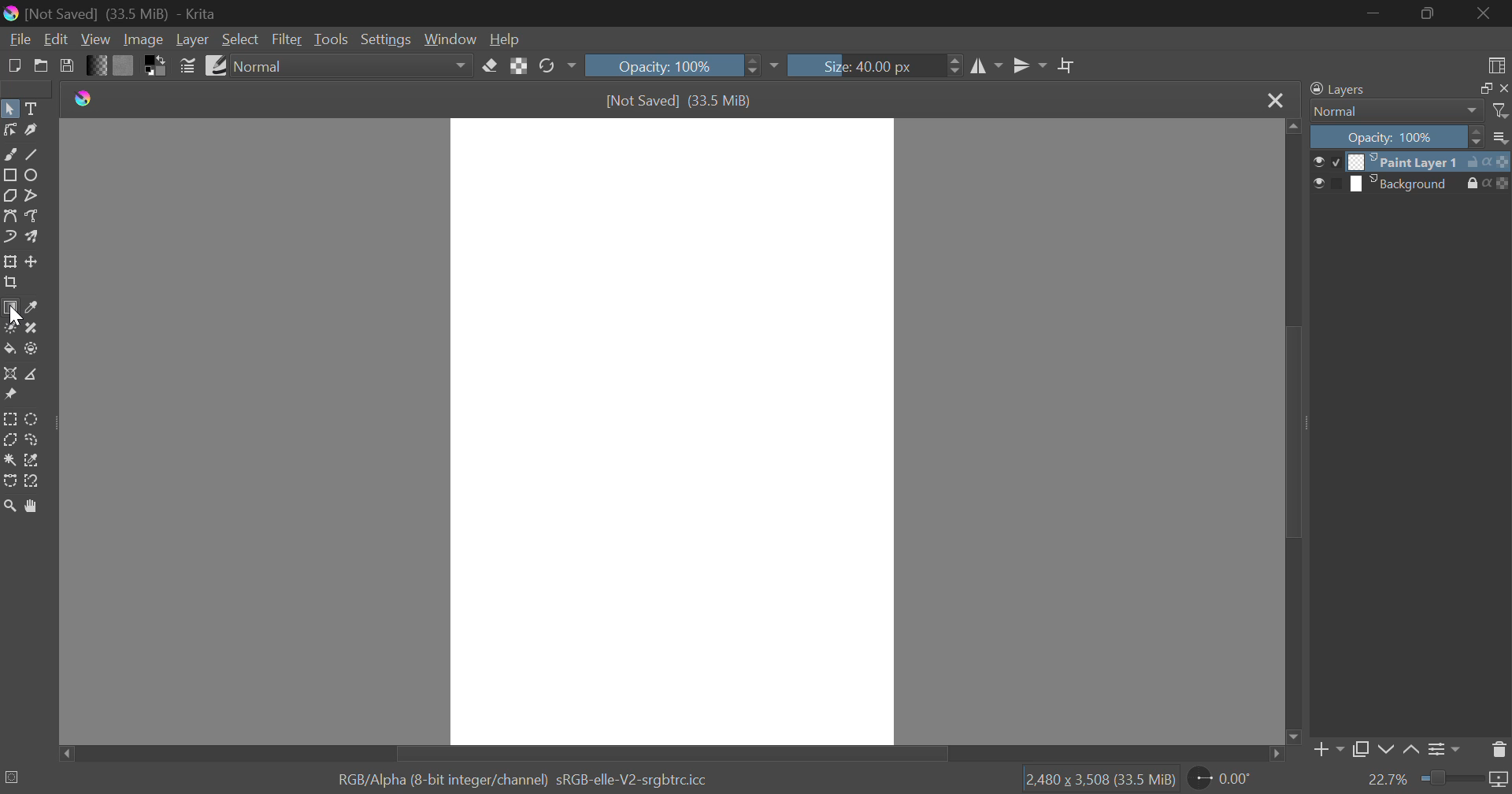 The image size is (1512, 794). Describe the element at coordinates (1229, 777) in the screenshot. I see `0.00°` at that location.